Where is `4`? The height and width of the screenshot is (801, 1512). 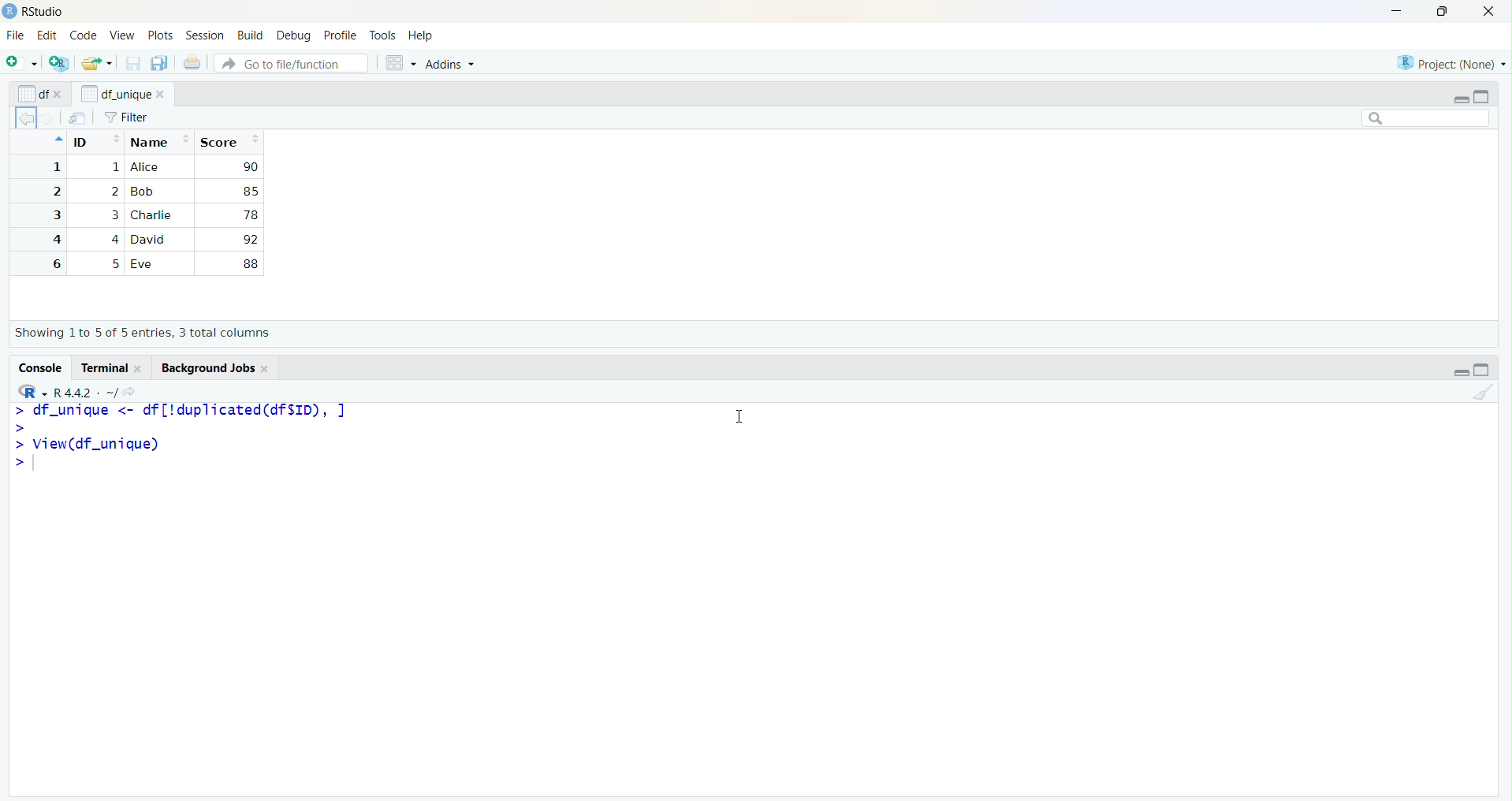
4 is located at coordinates (113, 239).